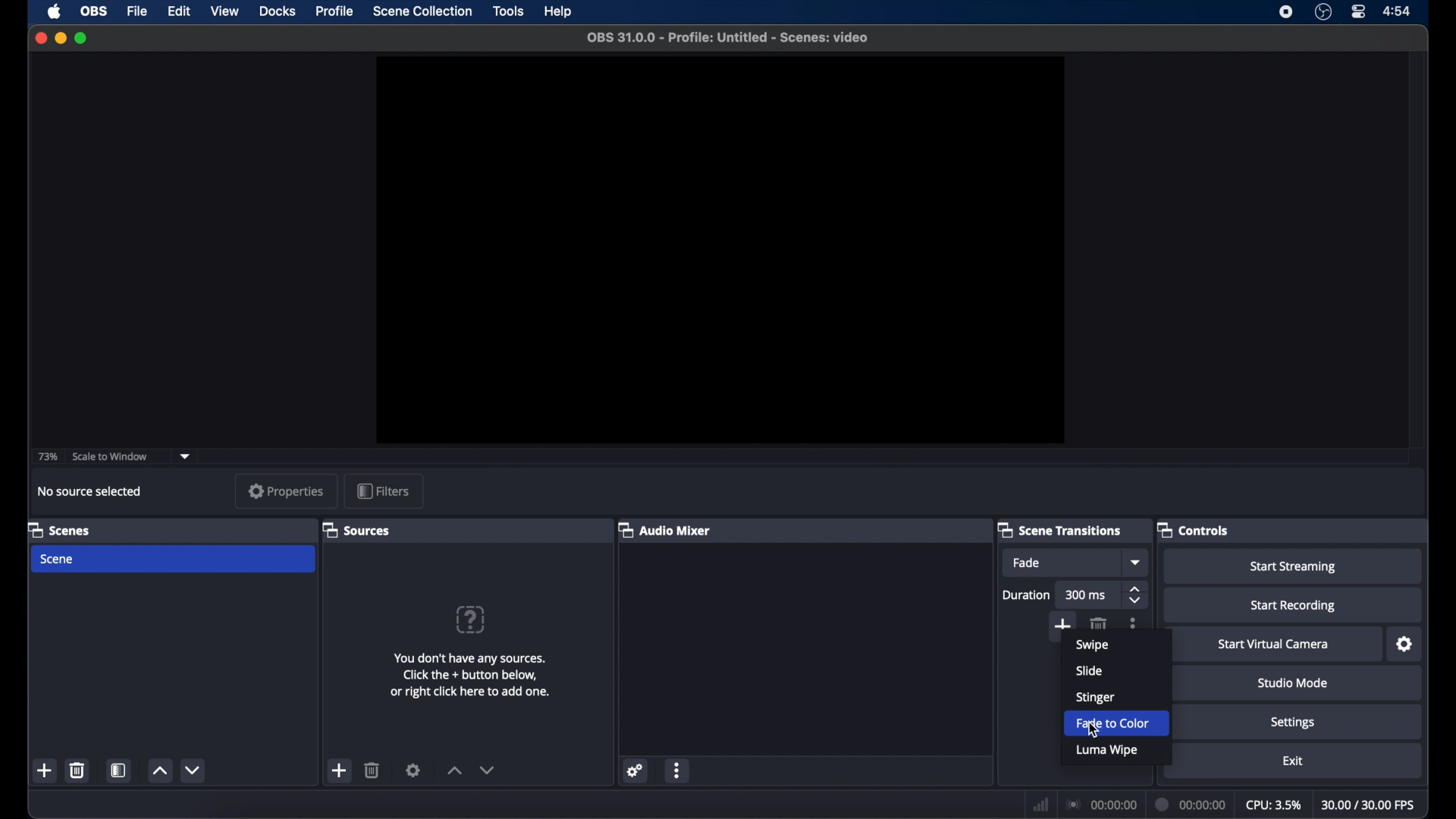 The height and width of the screenshot is (819, 1456). Describe the element at coordinates (728, 38) in the screenshot. I see `file name` at that location.